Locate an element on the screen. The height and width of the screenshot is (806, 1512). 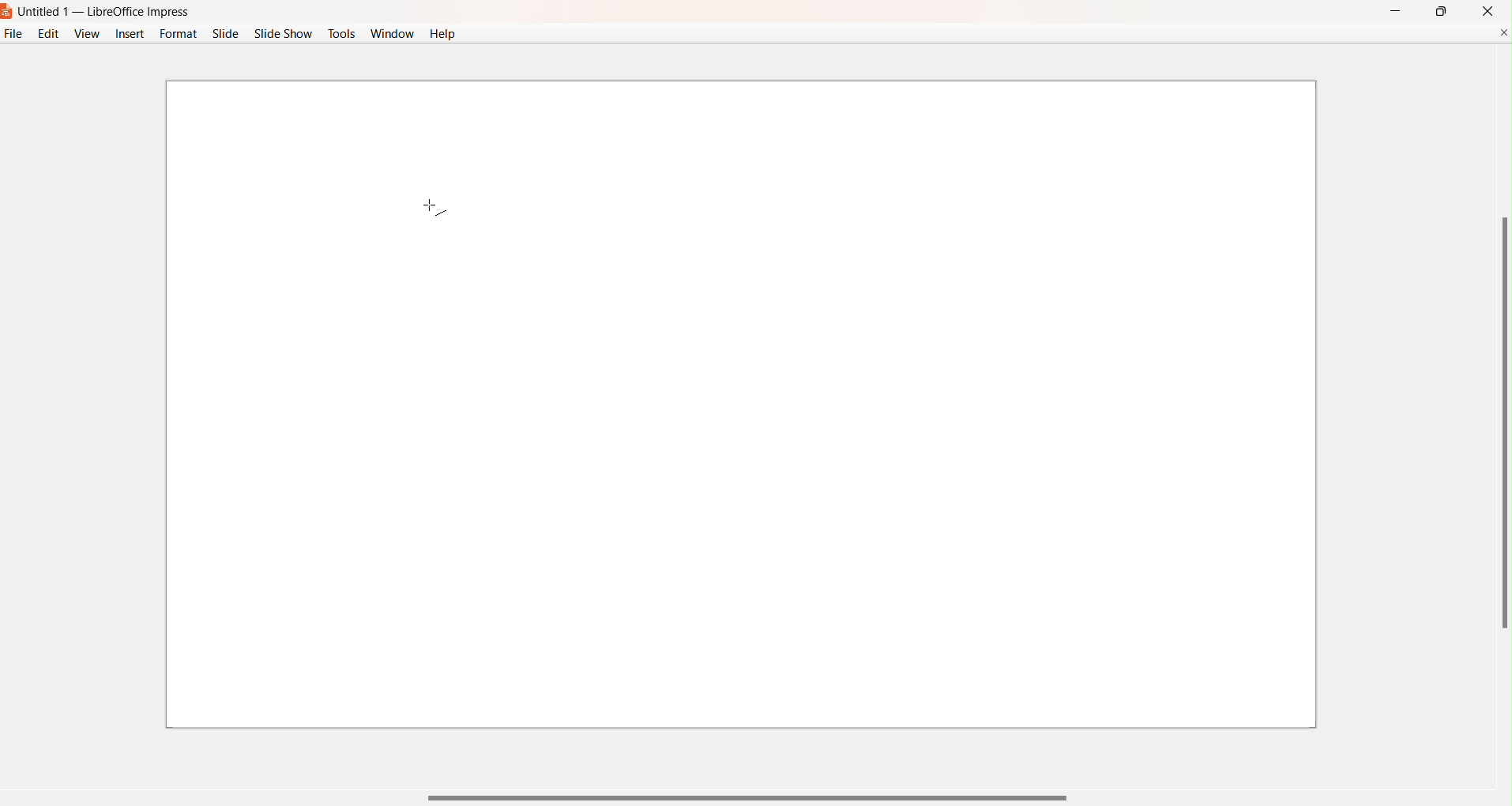
Tools is located at coordinates (342, 32).